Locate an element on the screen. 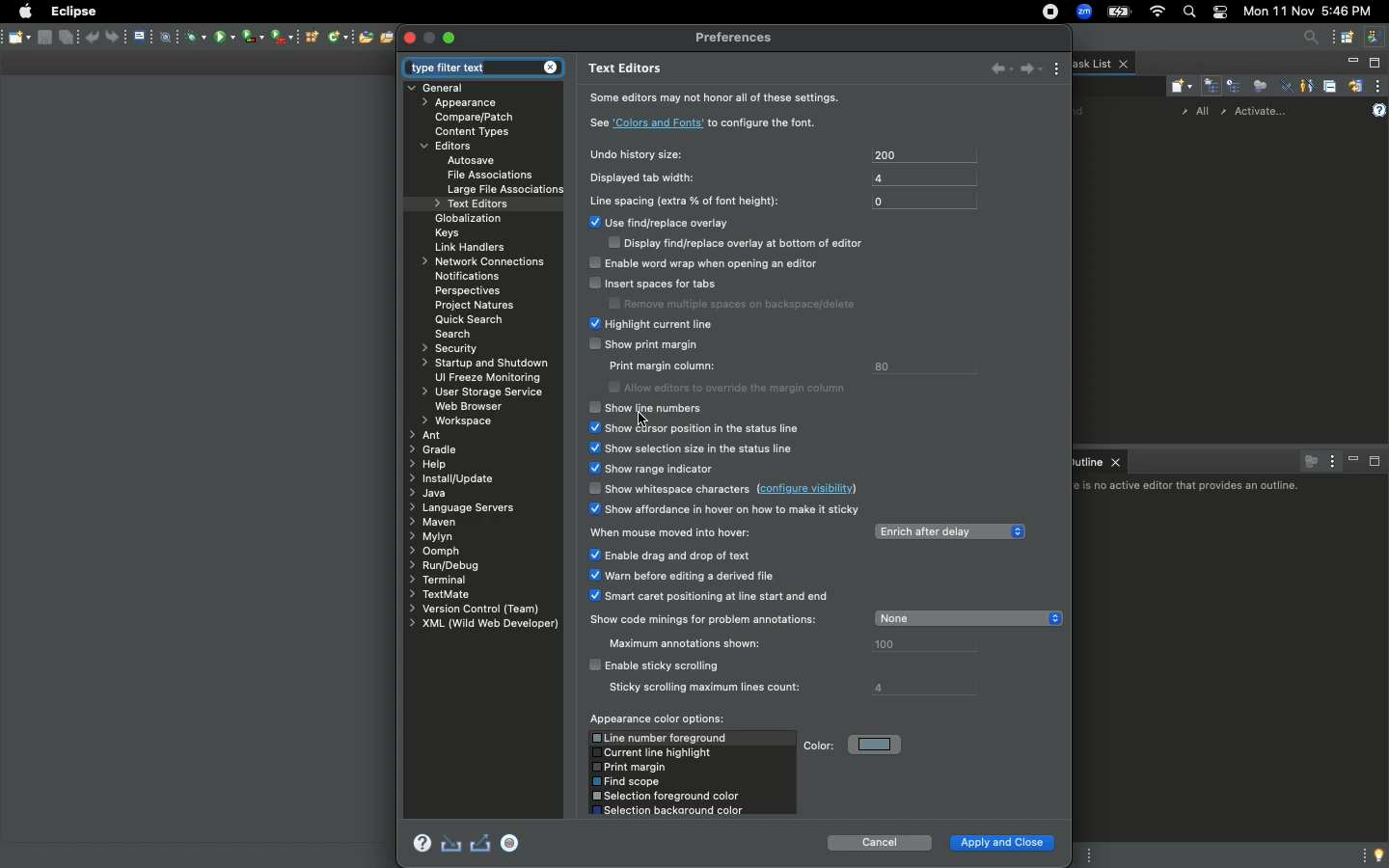 This screenshot has width=1389, height=868. User storage service is located at coordinates (485, 391).